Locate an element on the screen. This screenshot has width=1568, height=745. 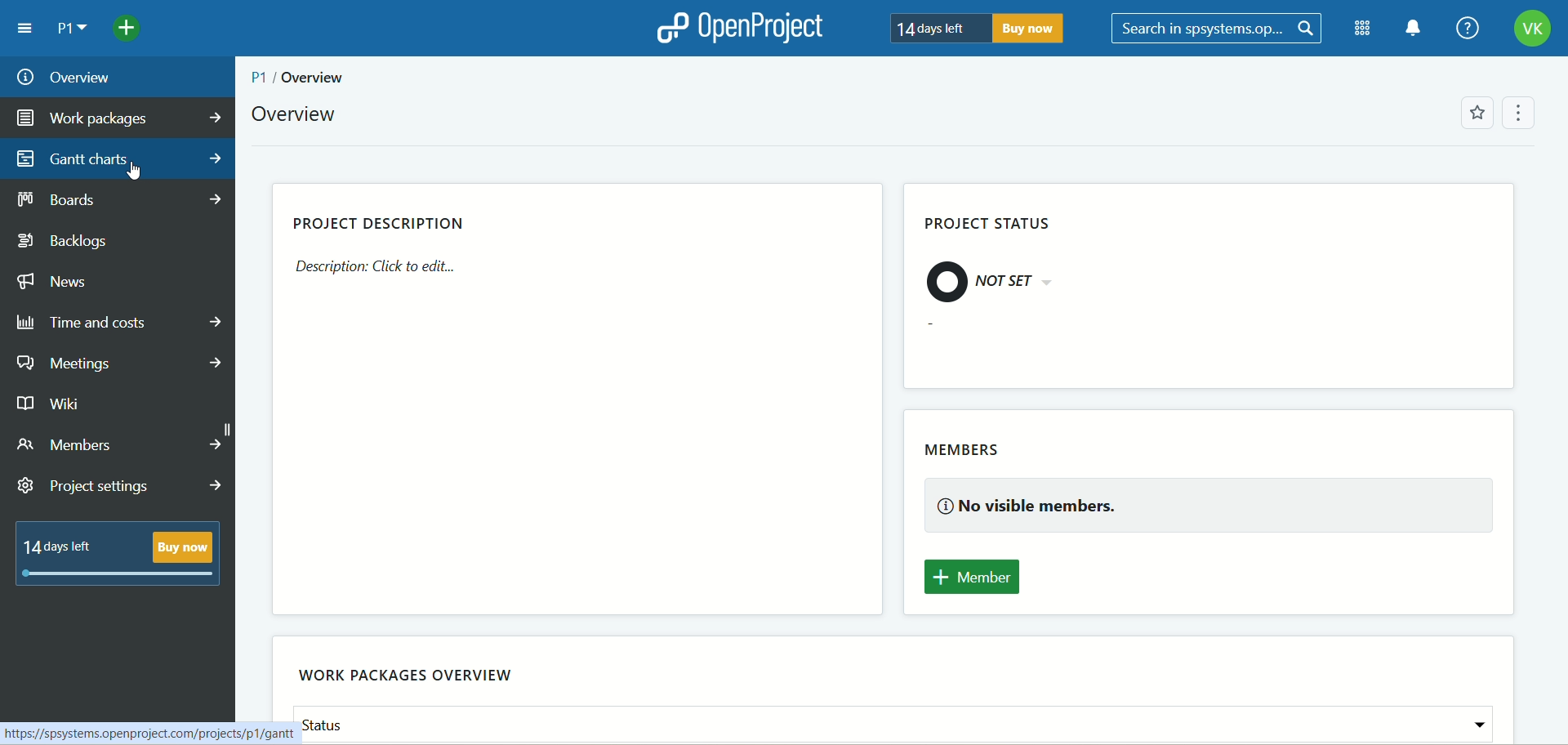
boards is located at coordinates (123, 200).